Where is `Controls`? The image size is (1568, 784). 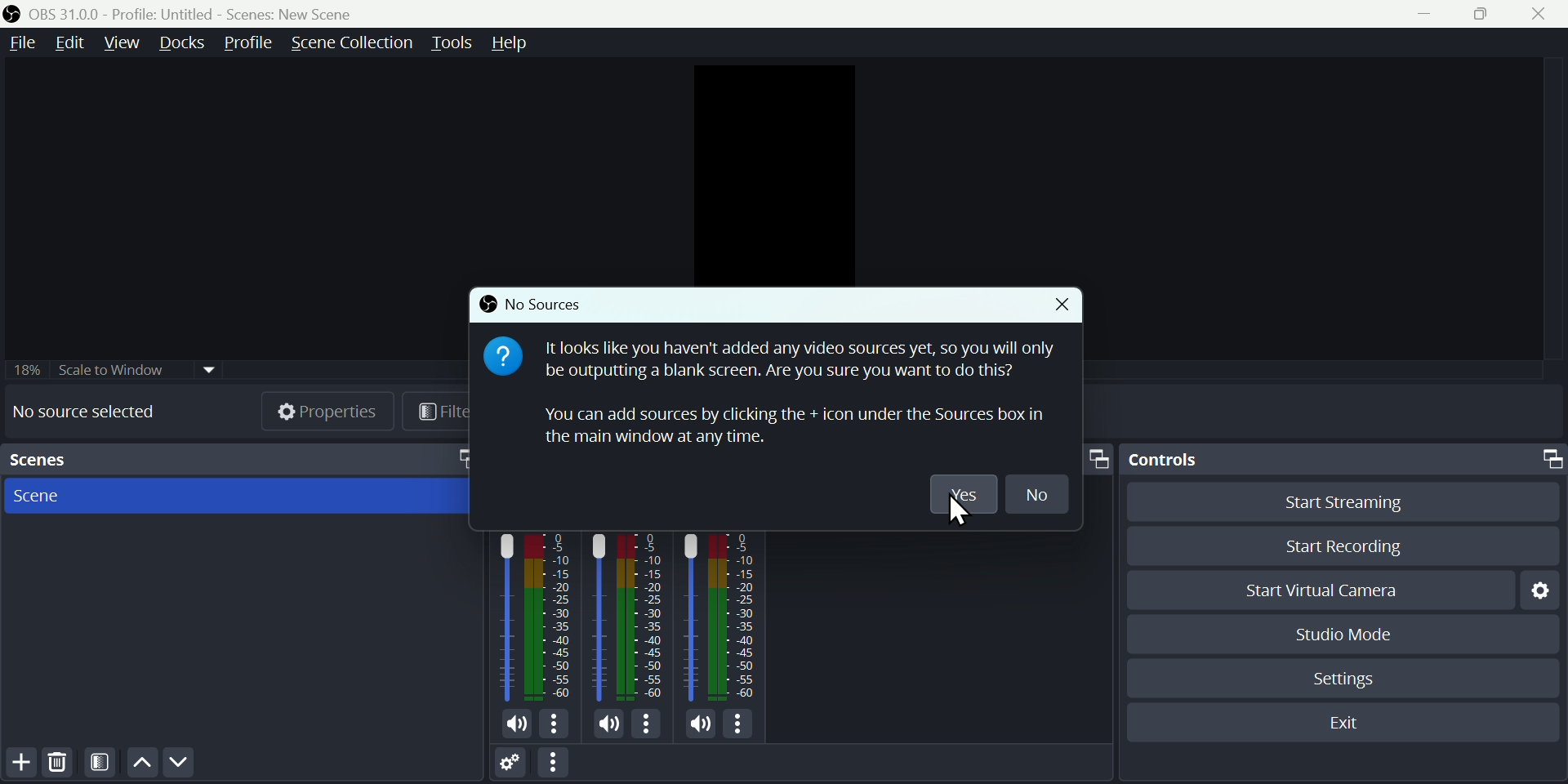 Controls is located at coordinates (1344, 456).